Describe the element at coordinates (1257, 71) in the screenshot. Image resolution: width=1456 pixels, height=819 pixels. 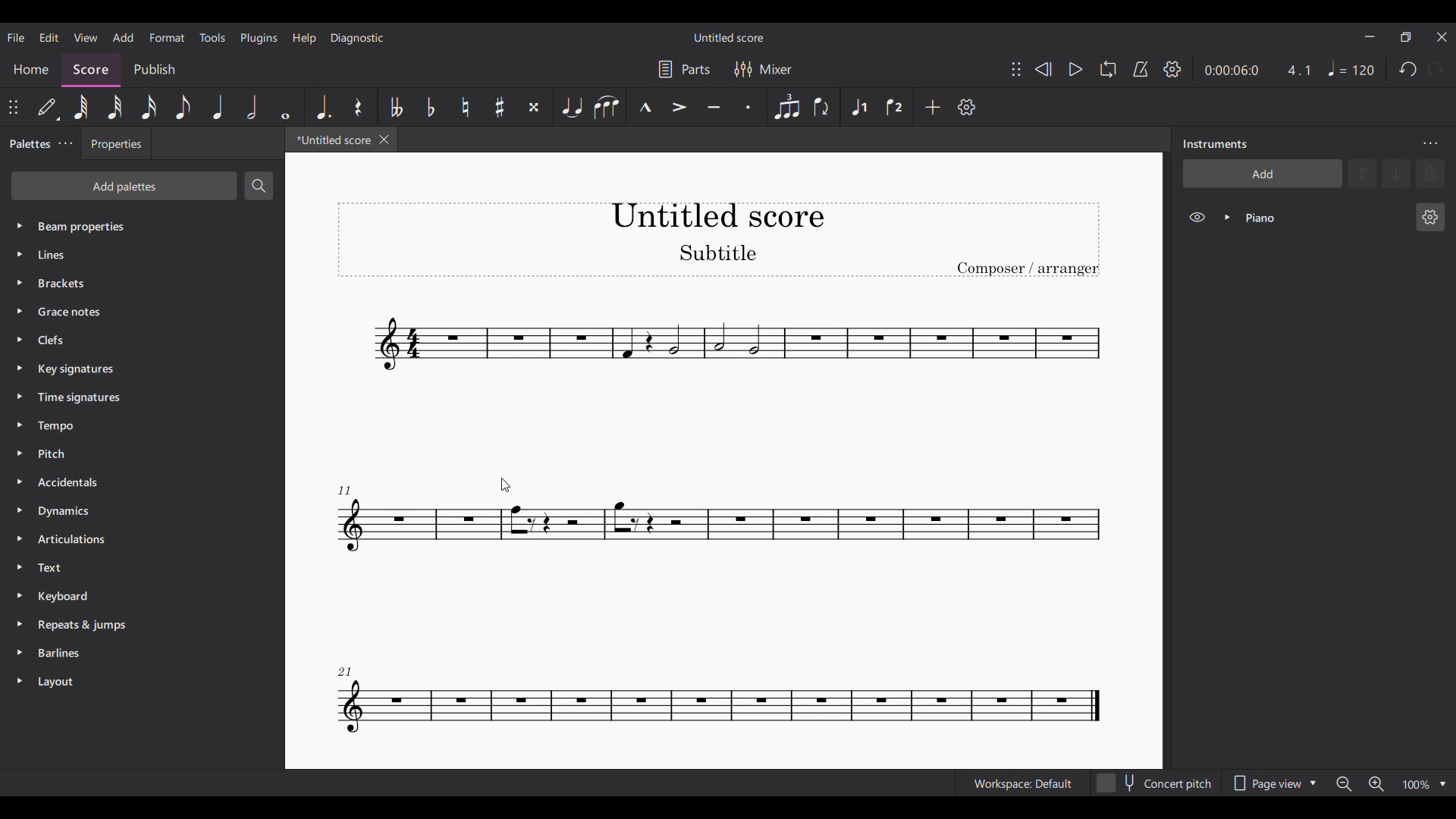
I see `Current duration and ratio` at that location.